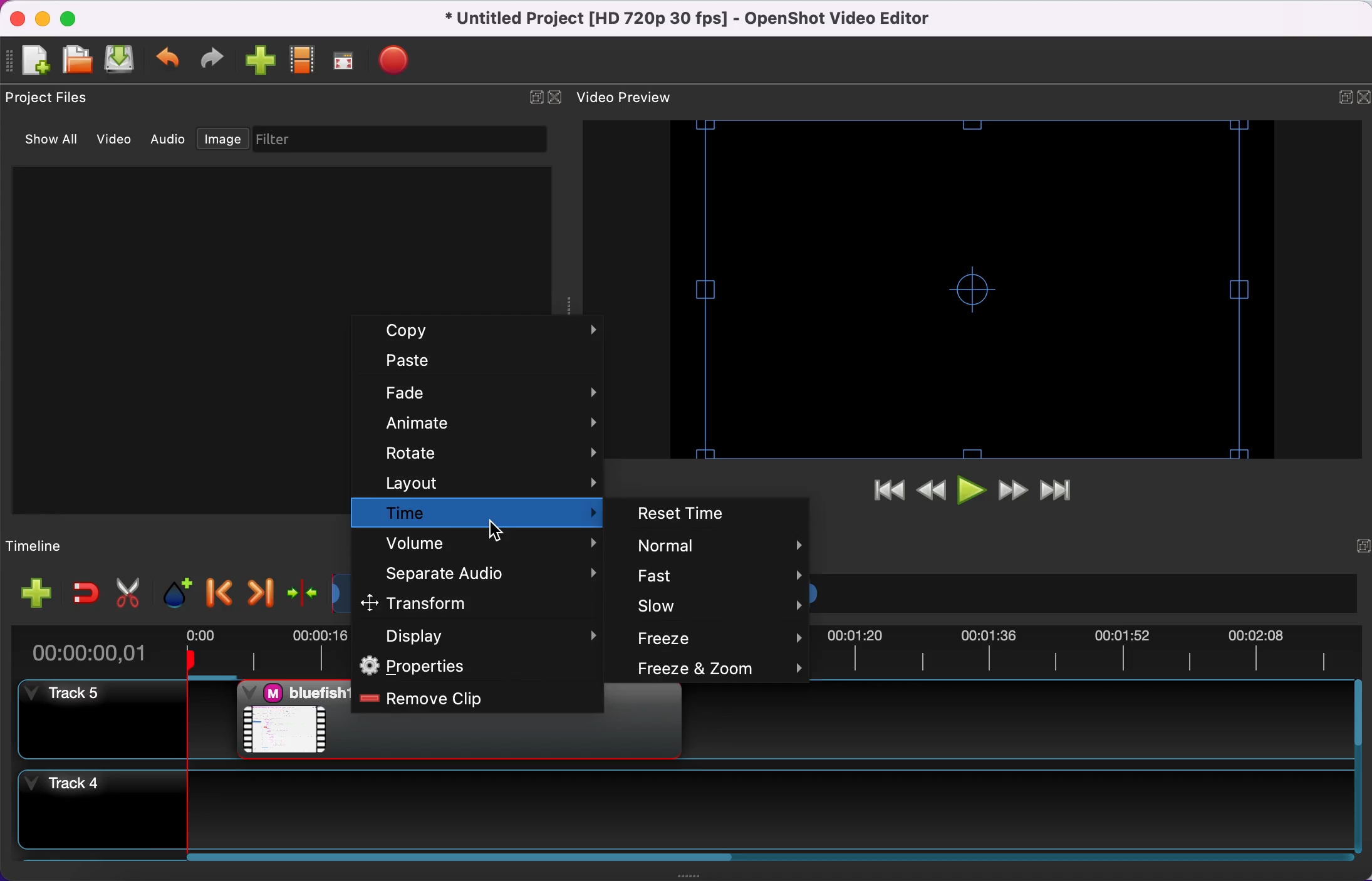 The width and height of the screenshot is (1372, 881). I want to click on redo, so click(217, 61).